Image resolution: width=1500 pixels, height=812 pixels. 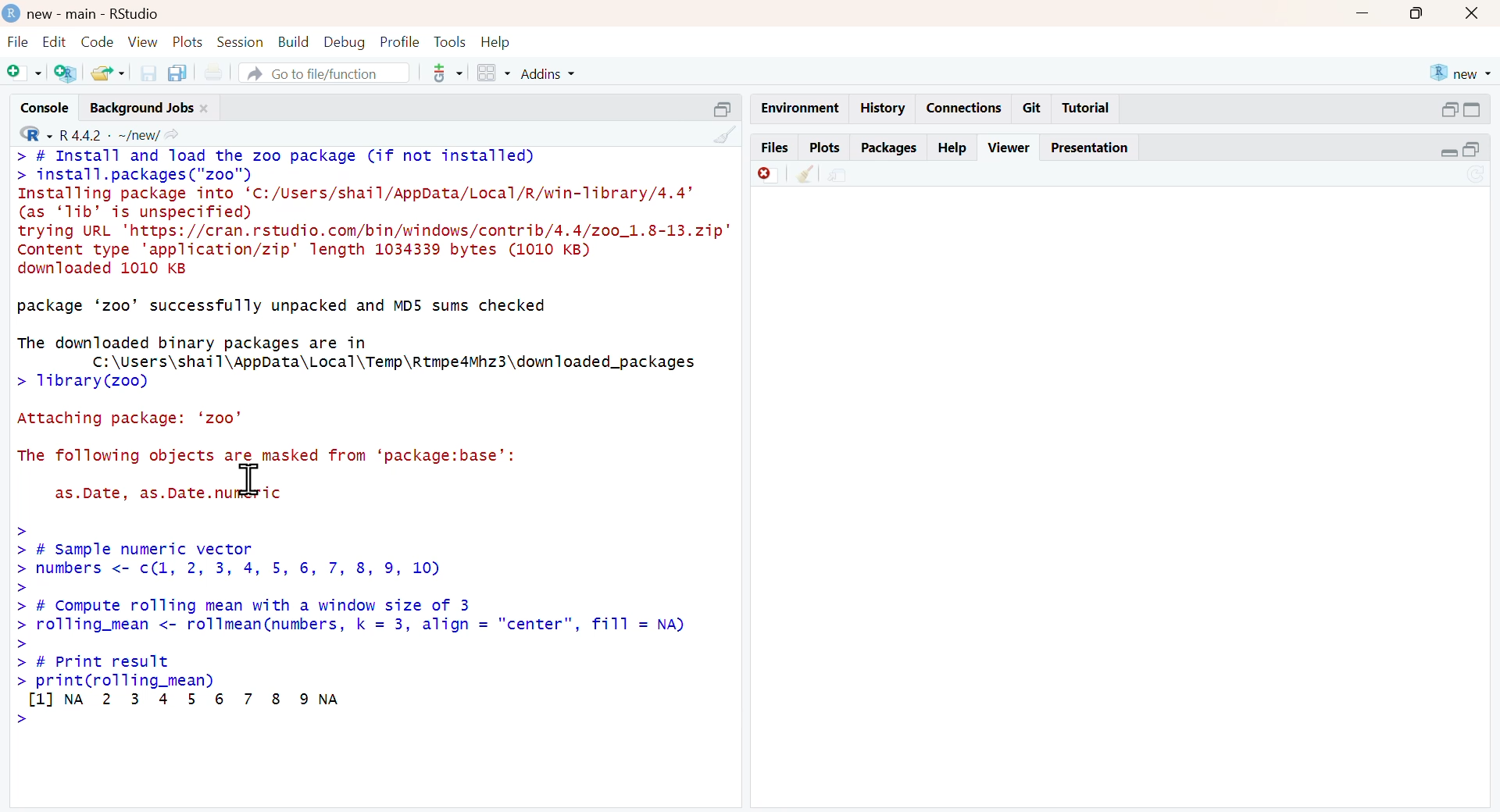 What do you see at coordinates (1472, 13) in the screenshot?
I see `close` at bounding box center [1472, 13].